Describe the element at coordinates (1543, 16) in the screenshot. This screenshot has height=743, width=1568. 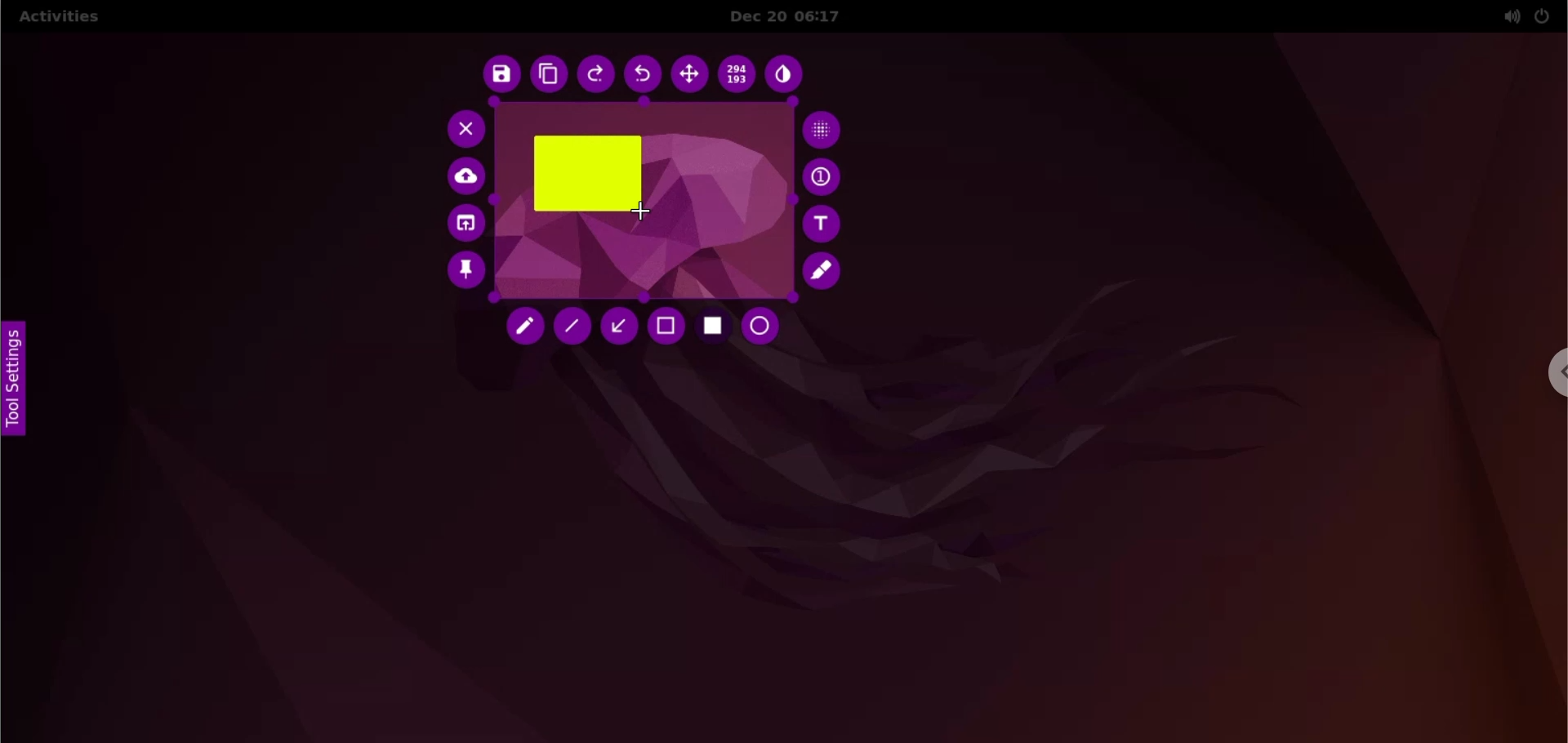
I see `power options` at that location.